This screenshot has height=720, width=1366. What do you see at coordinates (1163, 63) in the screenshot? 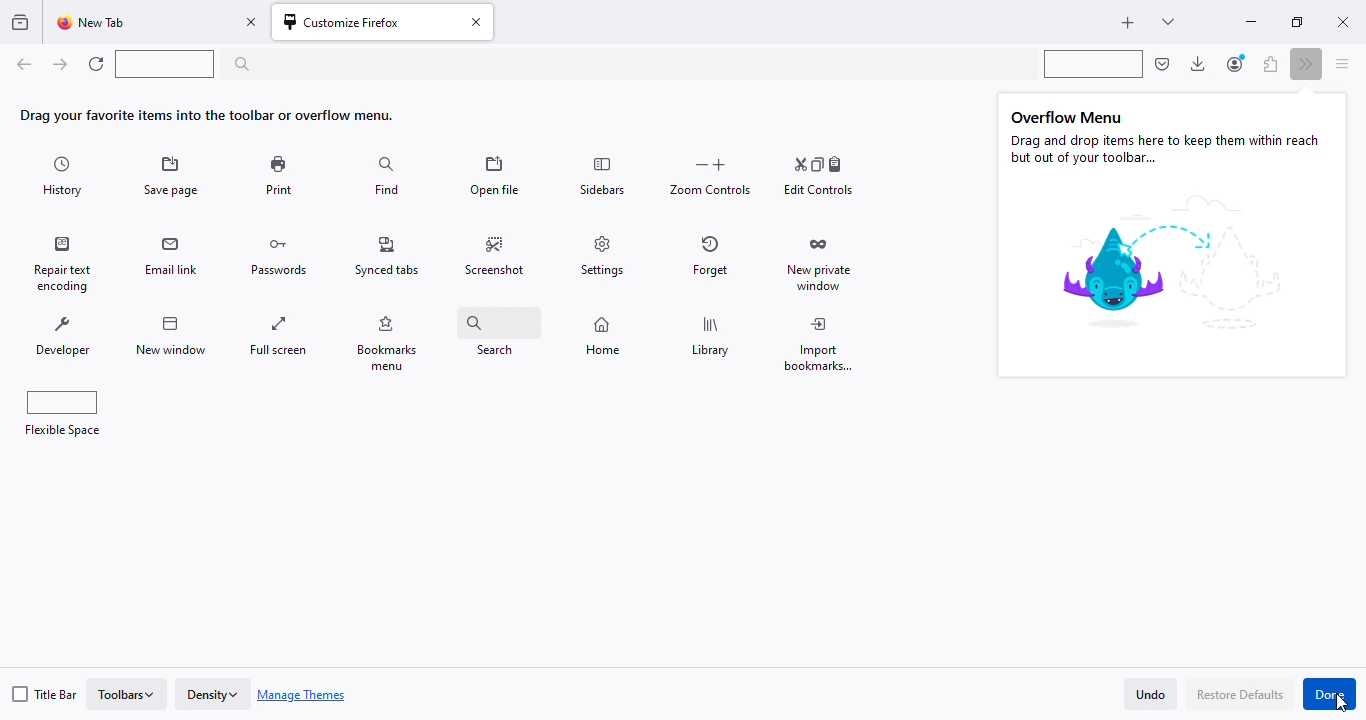
I see `save to pocket` at bounding box center [1163, 63].